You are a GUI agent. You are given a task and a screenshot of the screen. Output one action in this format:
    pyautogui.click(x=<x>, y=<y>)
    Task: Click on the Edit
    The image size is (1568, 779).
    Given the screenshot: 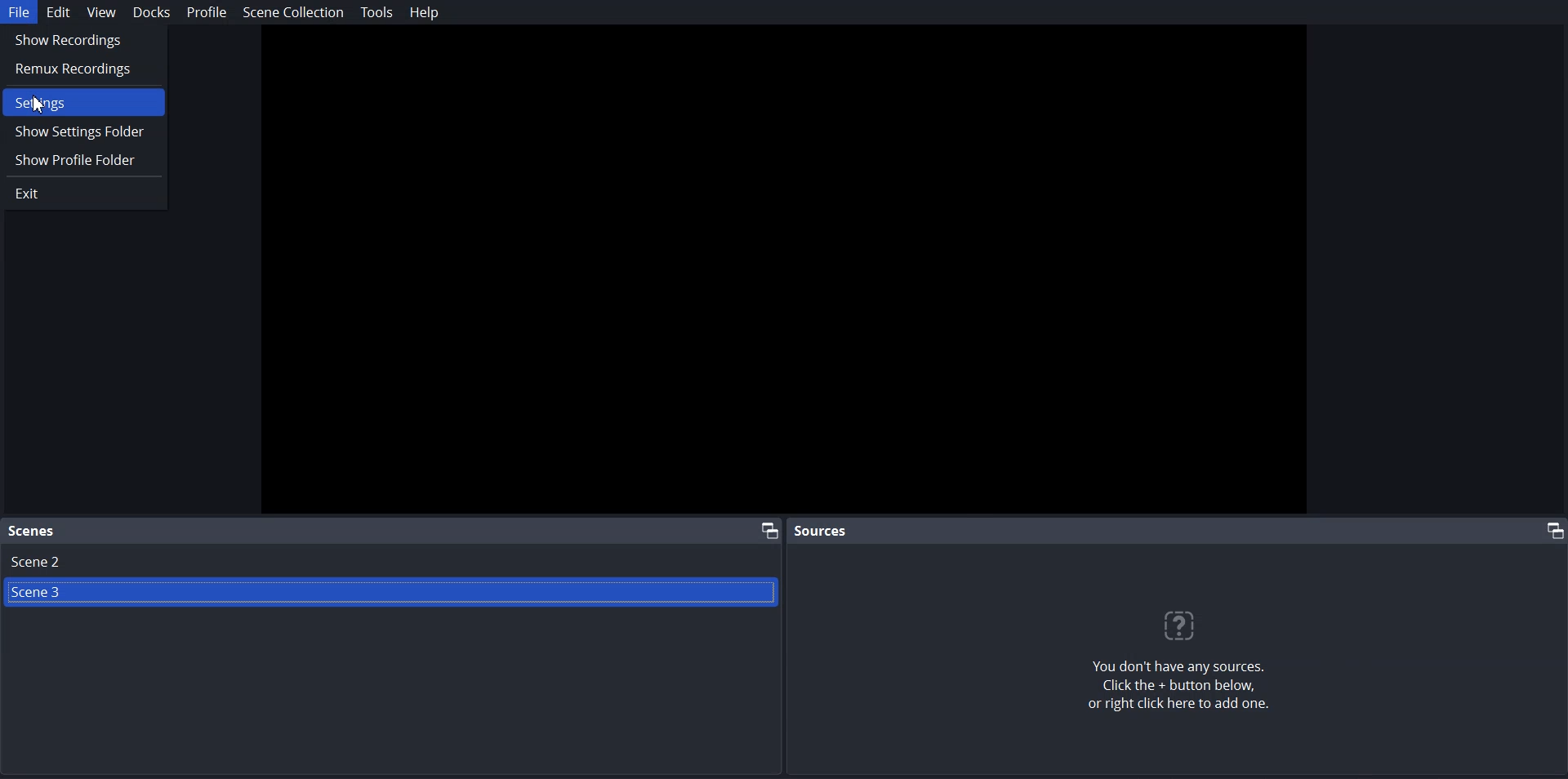 What is the action you would take?
    pyautogui.click(x=58, y=12)
    